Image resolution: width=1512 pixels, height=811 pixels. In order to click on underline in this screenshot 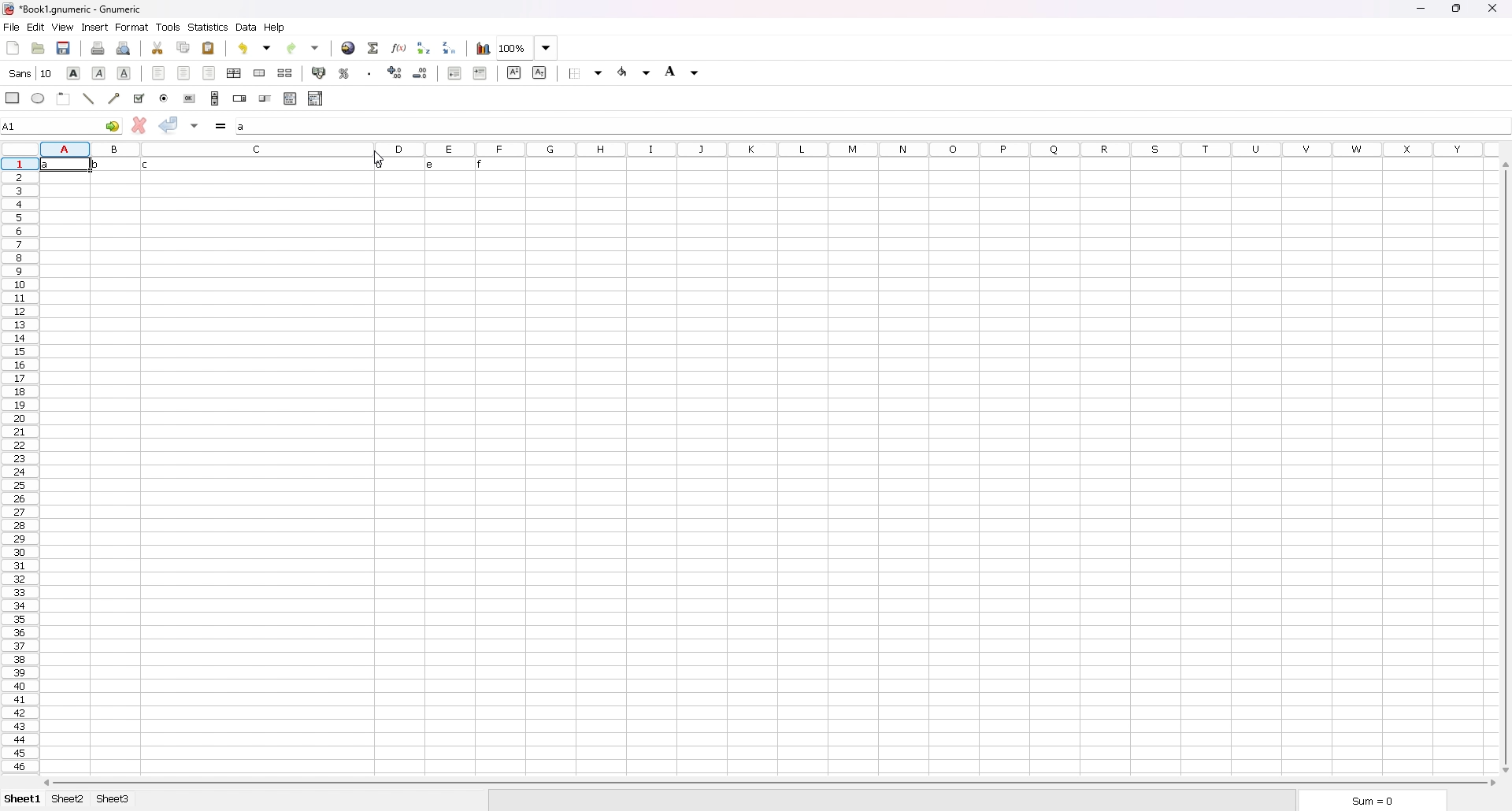, I will do `click(125, 73)`.